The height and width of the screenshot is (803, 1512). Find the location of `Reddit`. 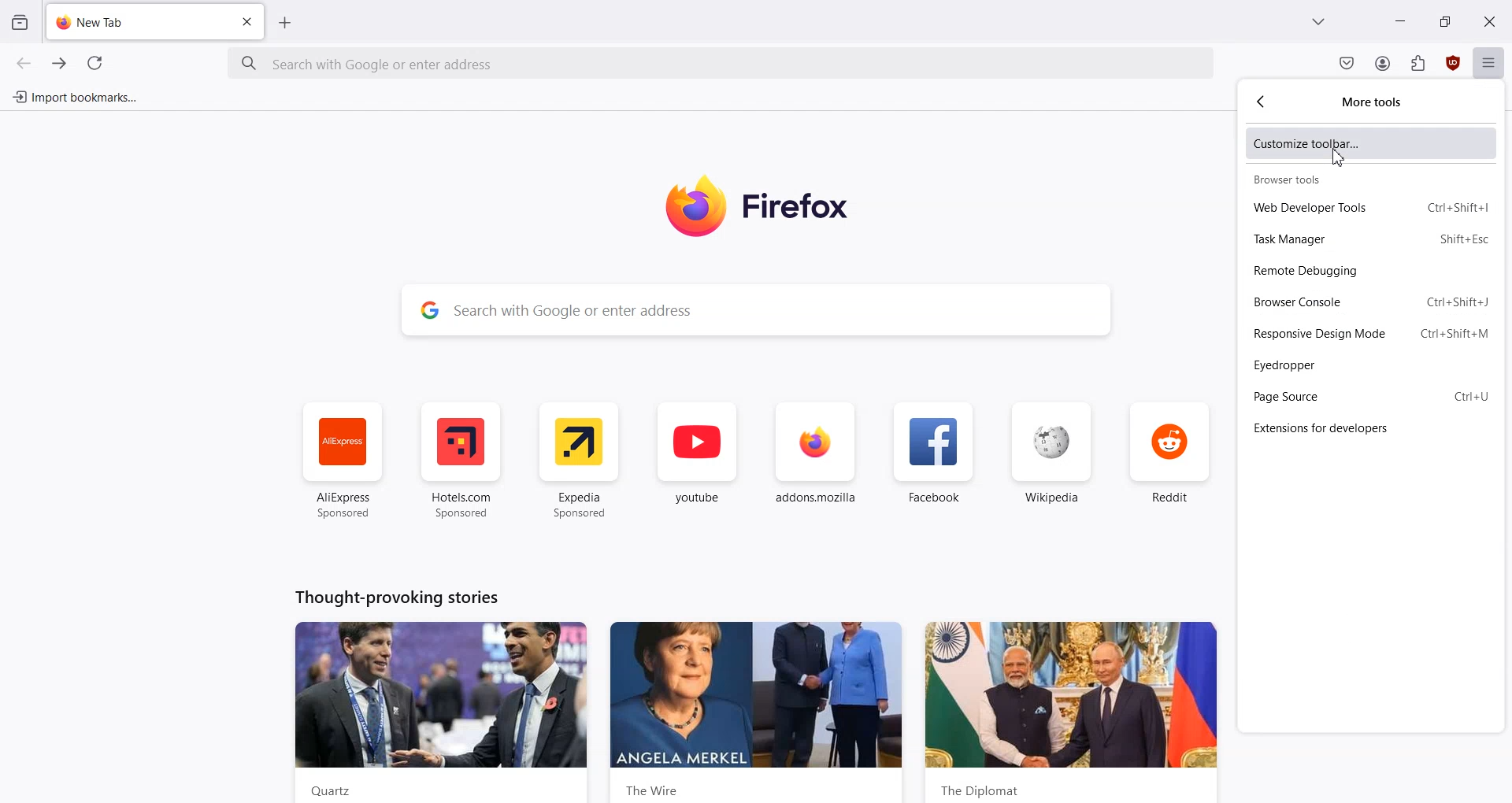

Reddit is located at coordinates (1173, 461).